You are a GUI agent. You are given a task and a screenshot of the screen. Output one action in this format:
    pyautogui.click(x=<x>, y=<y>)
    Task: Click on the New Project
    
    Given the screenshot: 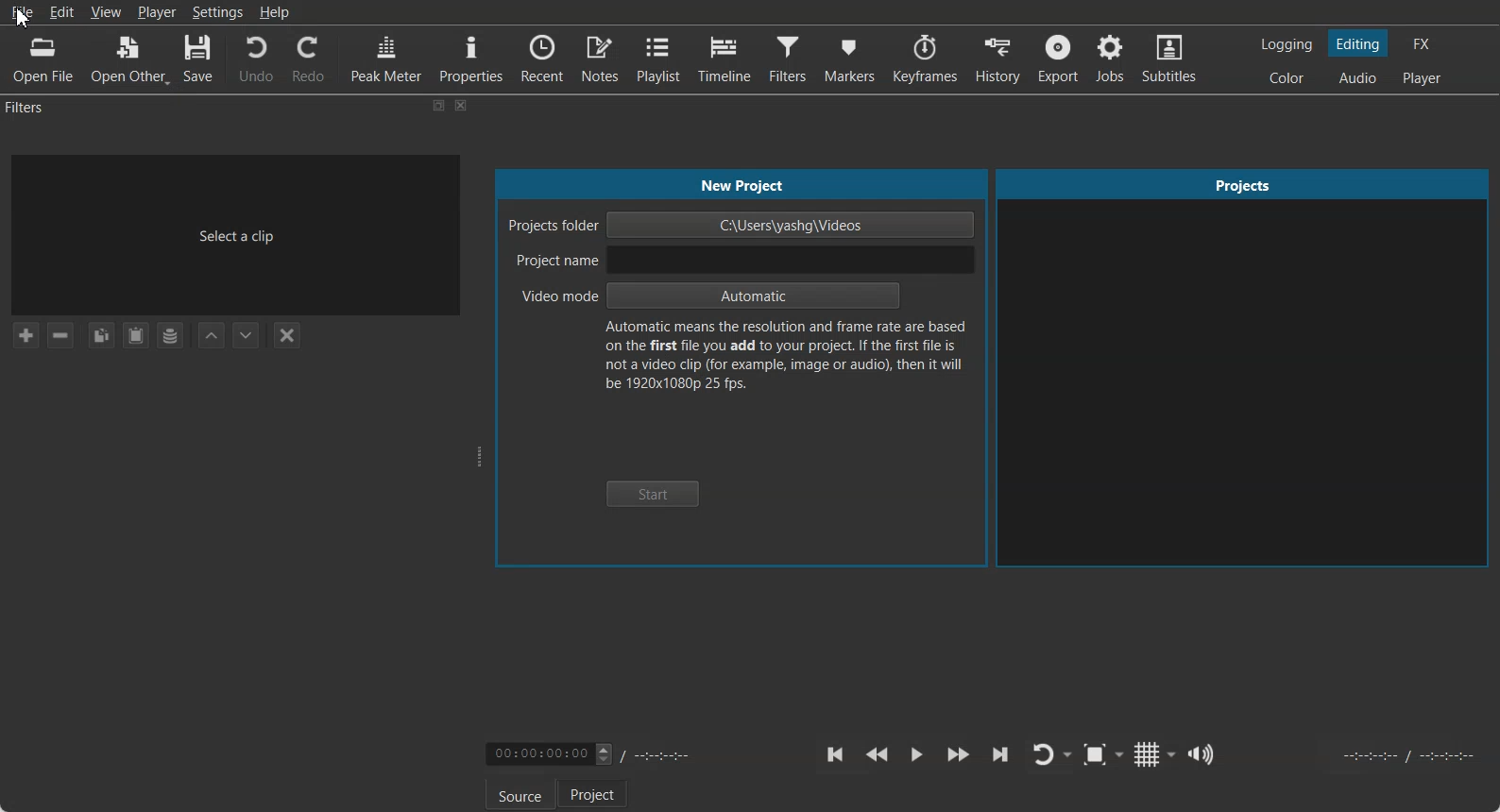 What is the action you would take?
    pyautogui.click(x=741, y=184)
    